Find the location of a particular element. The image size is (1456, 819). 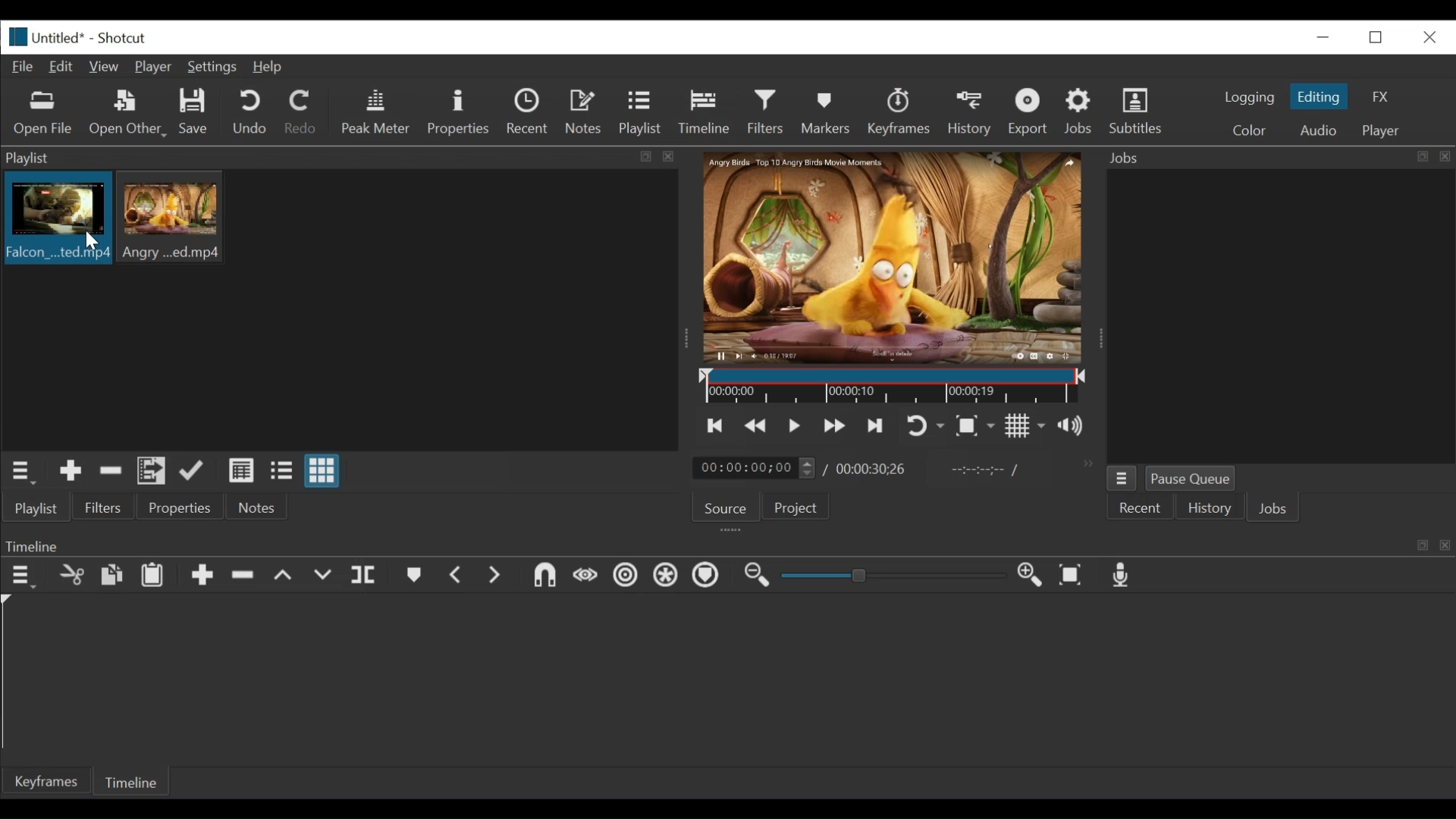

Player is located at coordinates (157, 68).